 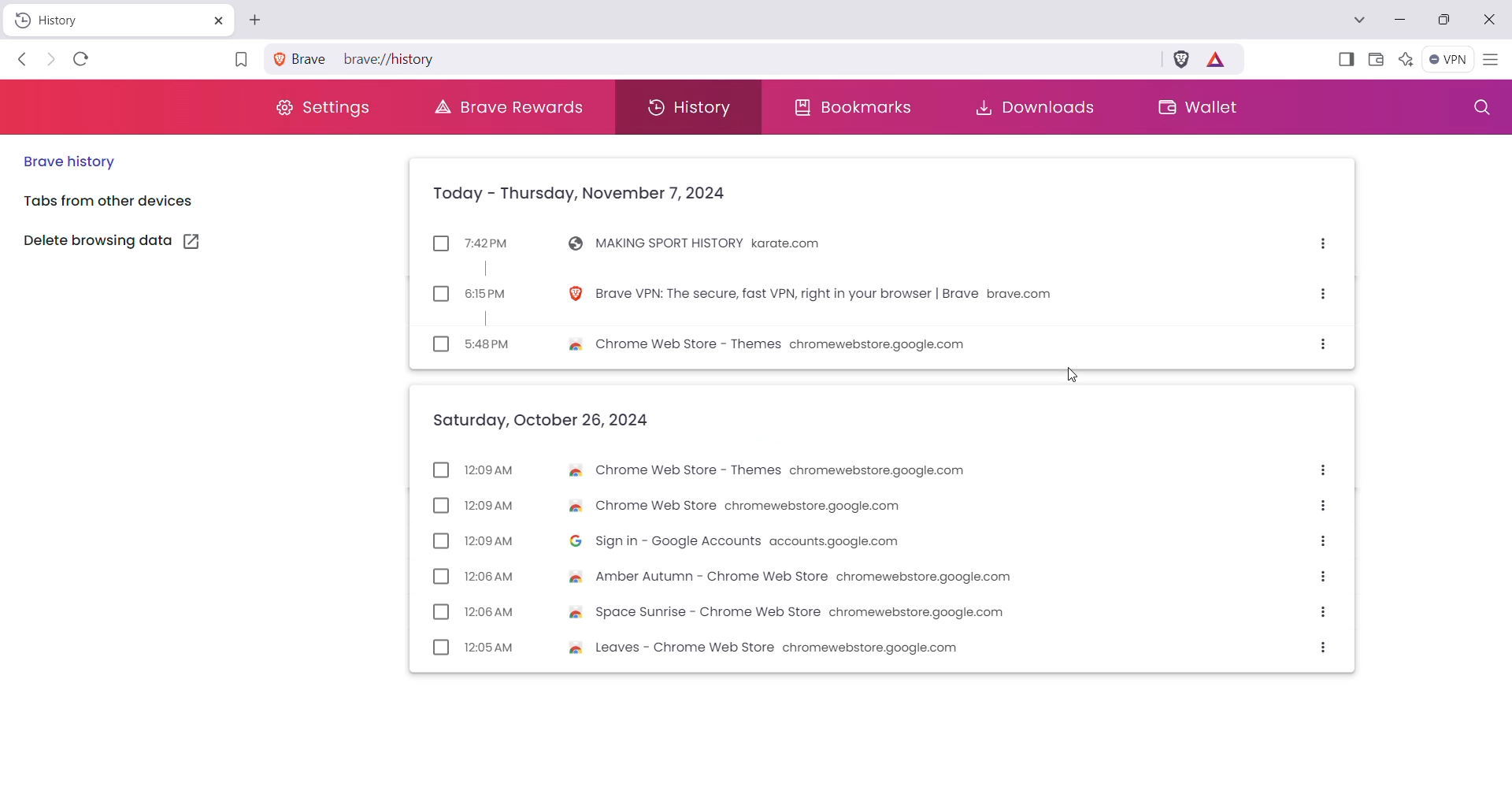 I want to click on Bookmark this page, so click(x=239, y=58).